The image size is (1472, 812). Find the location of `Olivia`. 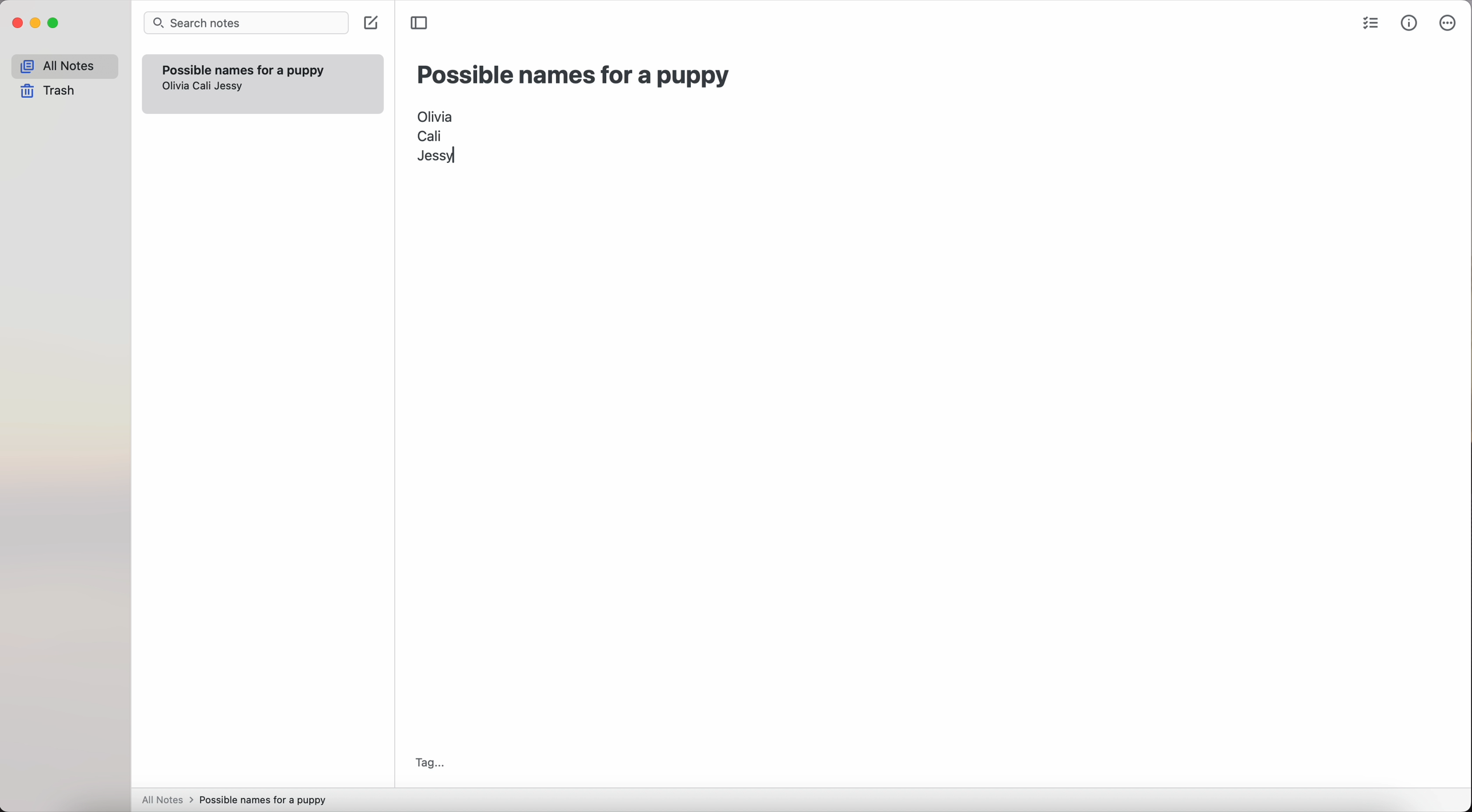

Olivia is located at coordinates (436, 114).